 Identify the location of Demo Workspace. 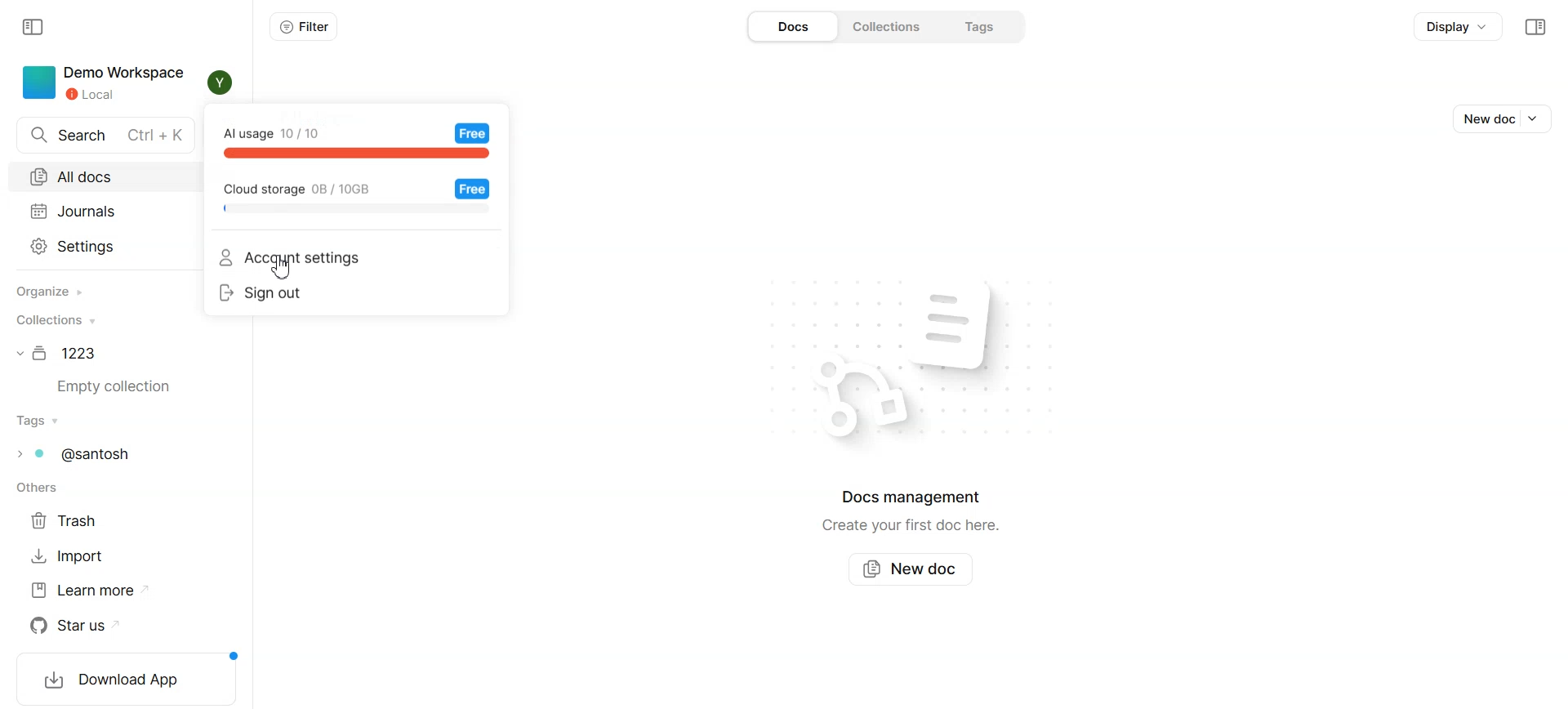
(104, 83).